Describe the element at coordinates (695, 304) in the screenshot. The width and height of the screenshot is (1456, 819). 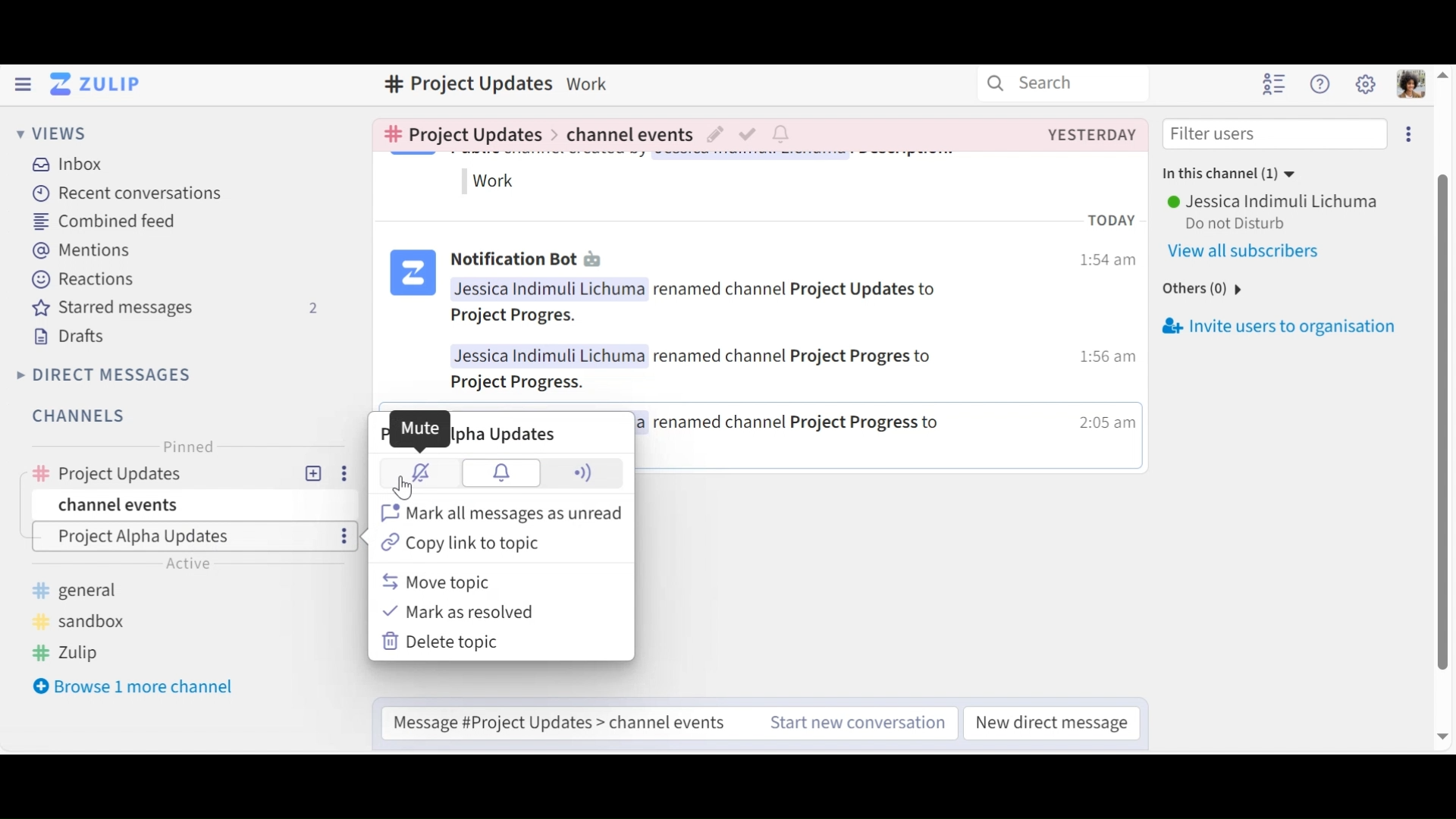
I see ` Jessica Inaimuli Lichuma renamed channel Project Updates toProject Progres.` at that location.